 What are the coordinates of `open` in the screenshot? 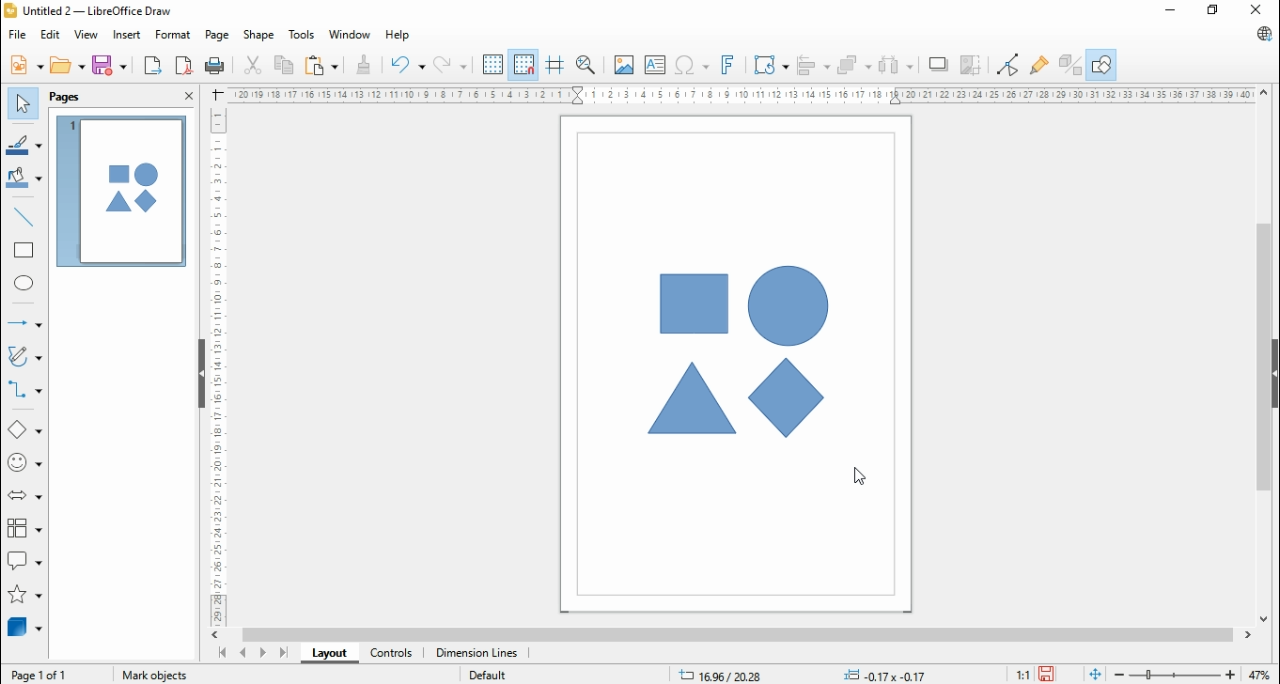 It's located at (67, 64).